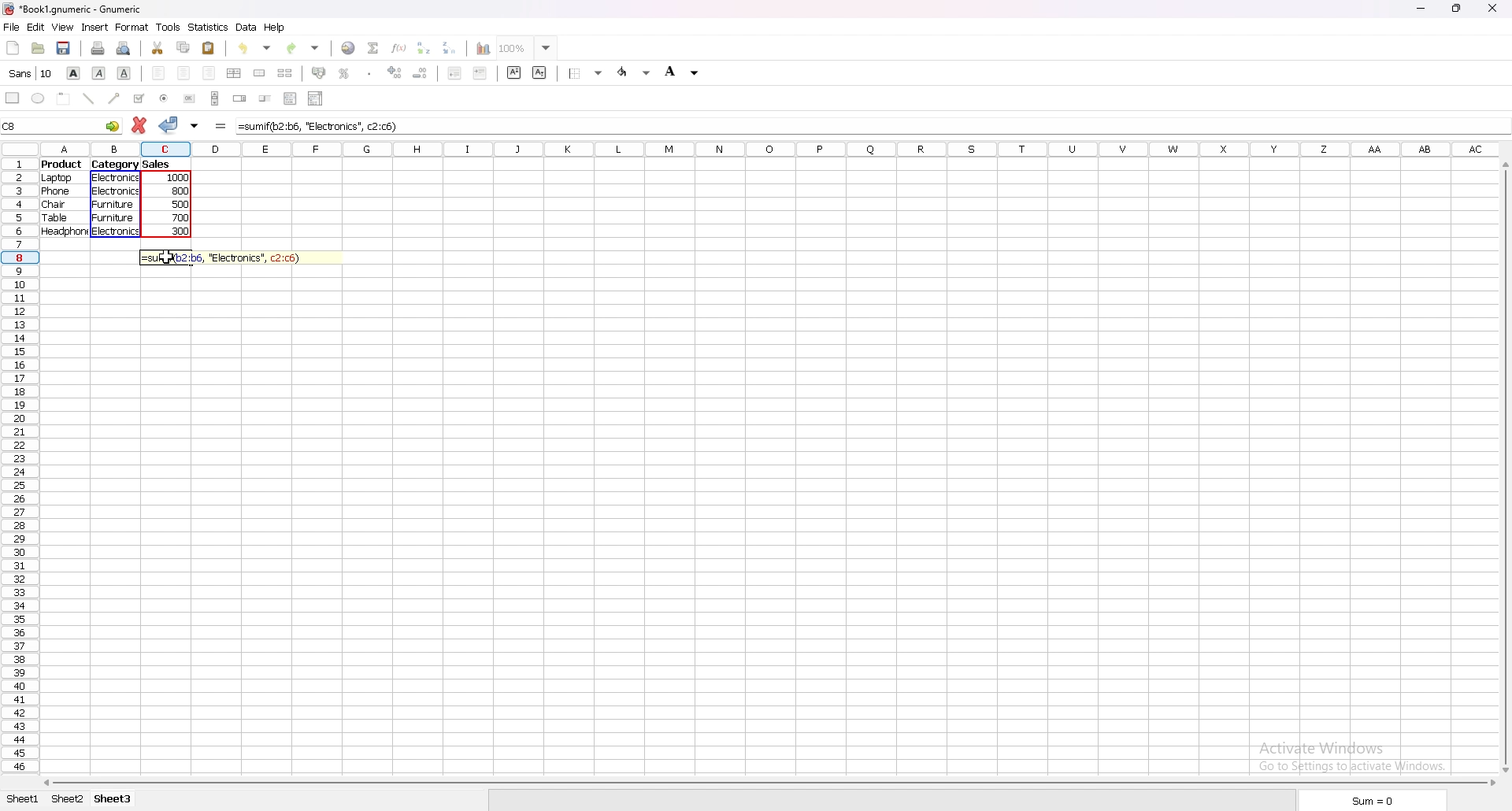  What do you see at coordinates (246, 27) in the screenshot?
I see `data` at bounding box center [246, 27].